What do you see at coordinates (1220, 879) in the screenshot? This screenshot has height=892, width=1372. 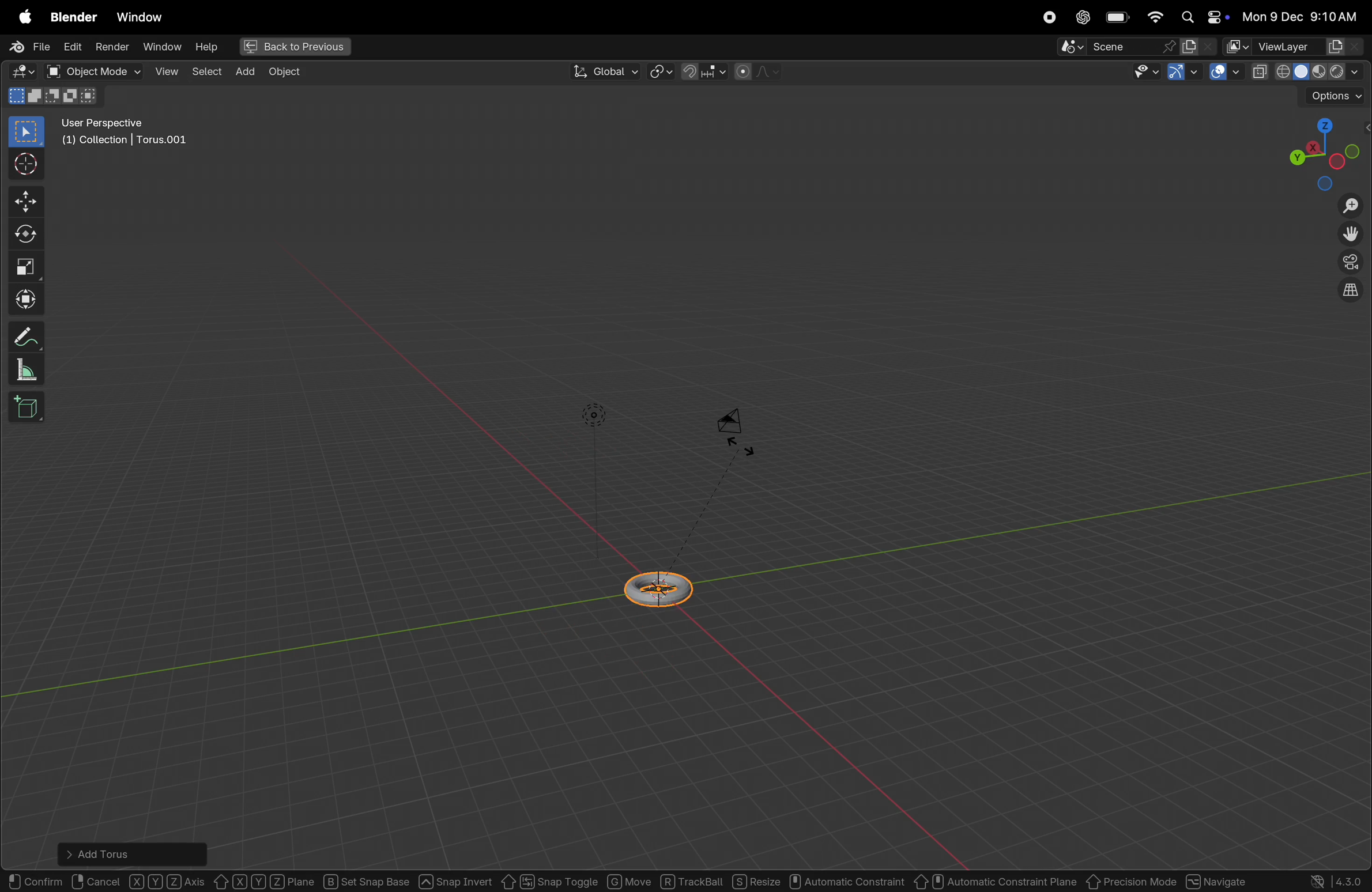 I see `navigate` at bounding box center [1220, 879].